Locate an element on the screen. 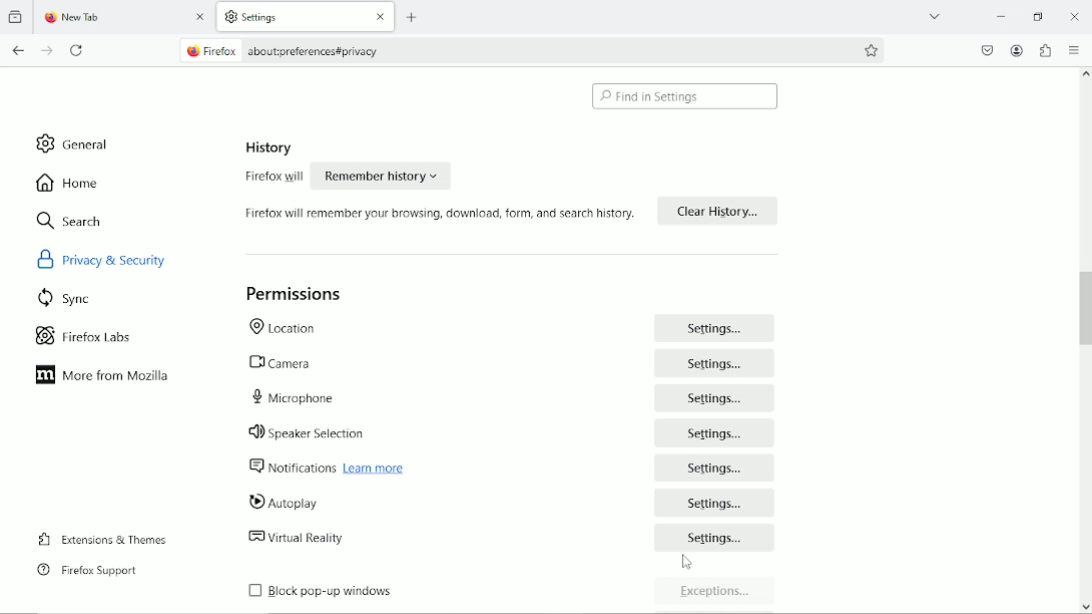 This screenshot has height=614, width=1092. speaker selection is located at coordinates (389, 430).